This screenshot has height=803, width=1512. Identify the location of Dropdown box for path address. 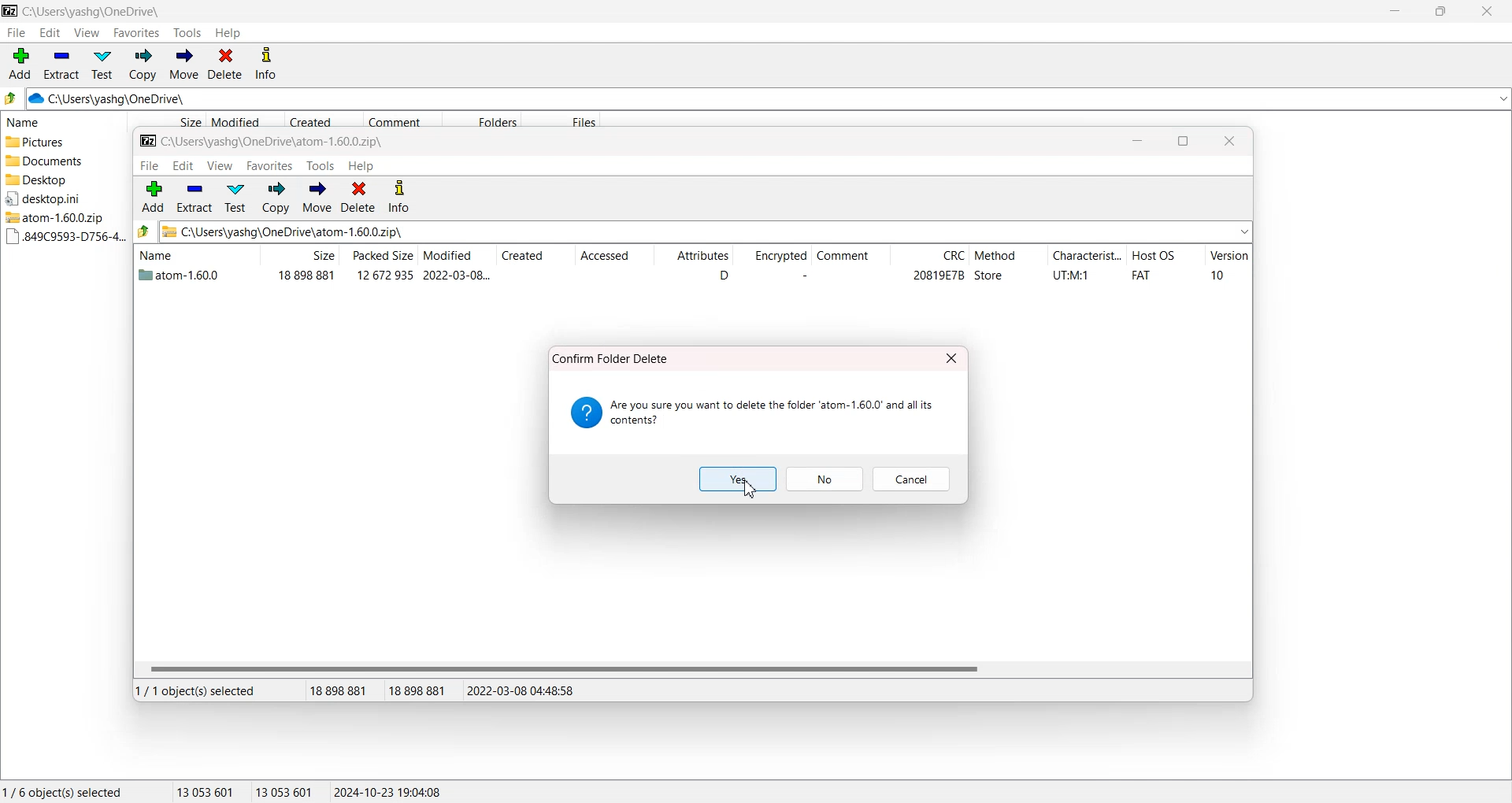
(1502, 99).